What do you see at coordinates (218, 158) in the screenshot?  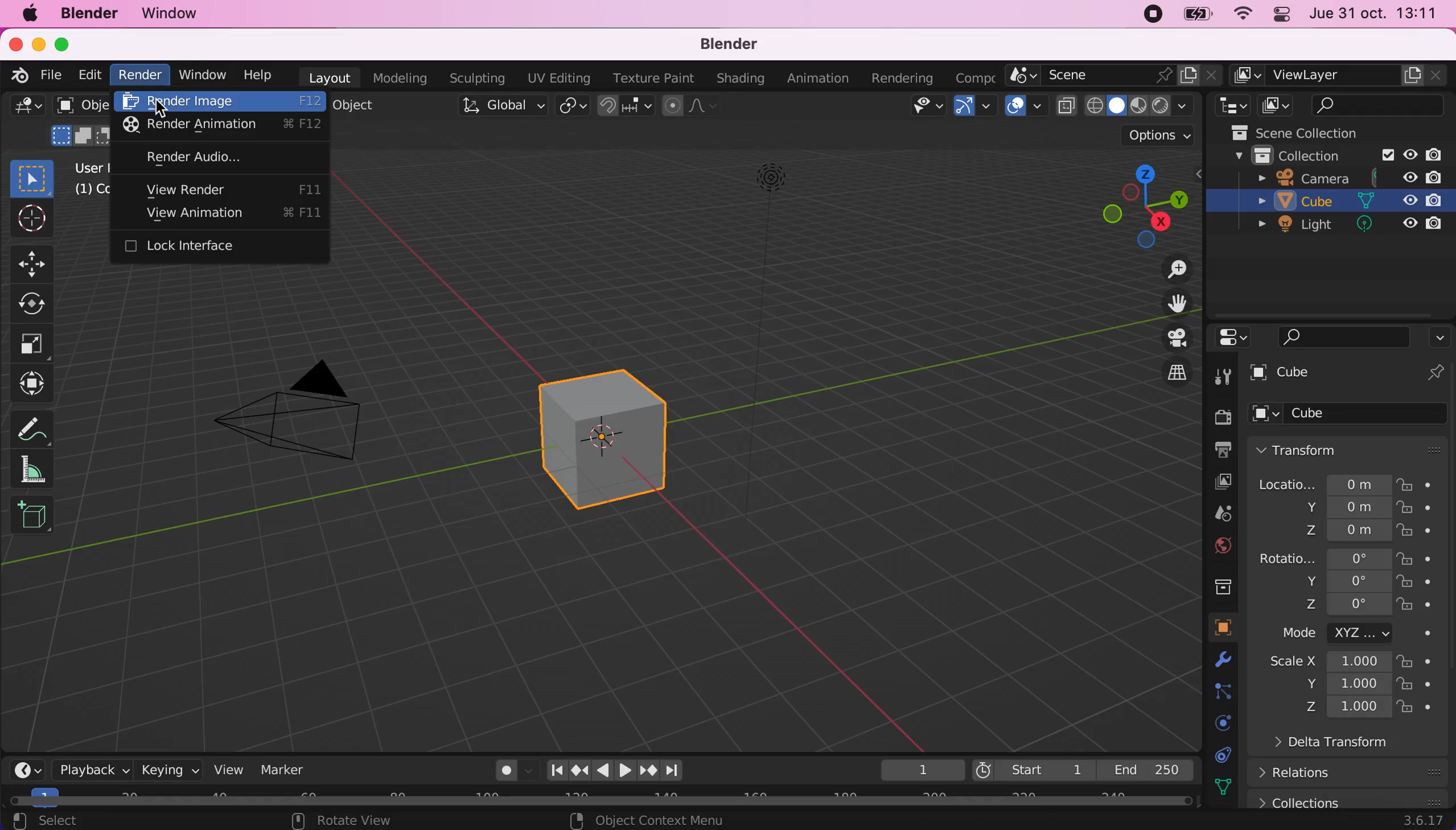 I see `render audio` at bounding box center [218, 158].